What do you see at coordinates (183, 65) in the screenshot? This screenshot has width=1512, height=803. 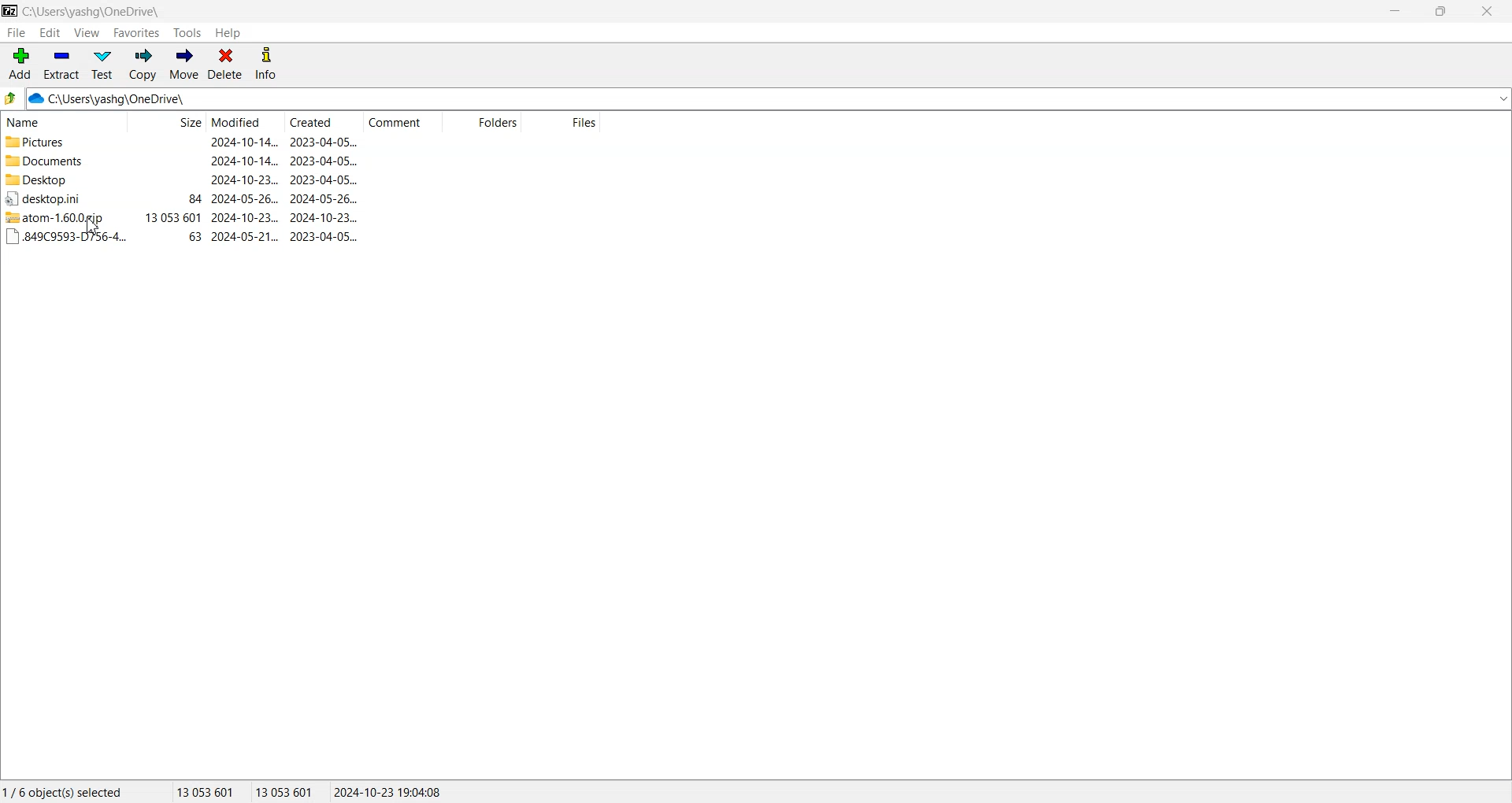 I see `Move` at bounding box center [183, 65].